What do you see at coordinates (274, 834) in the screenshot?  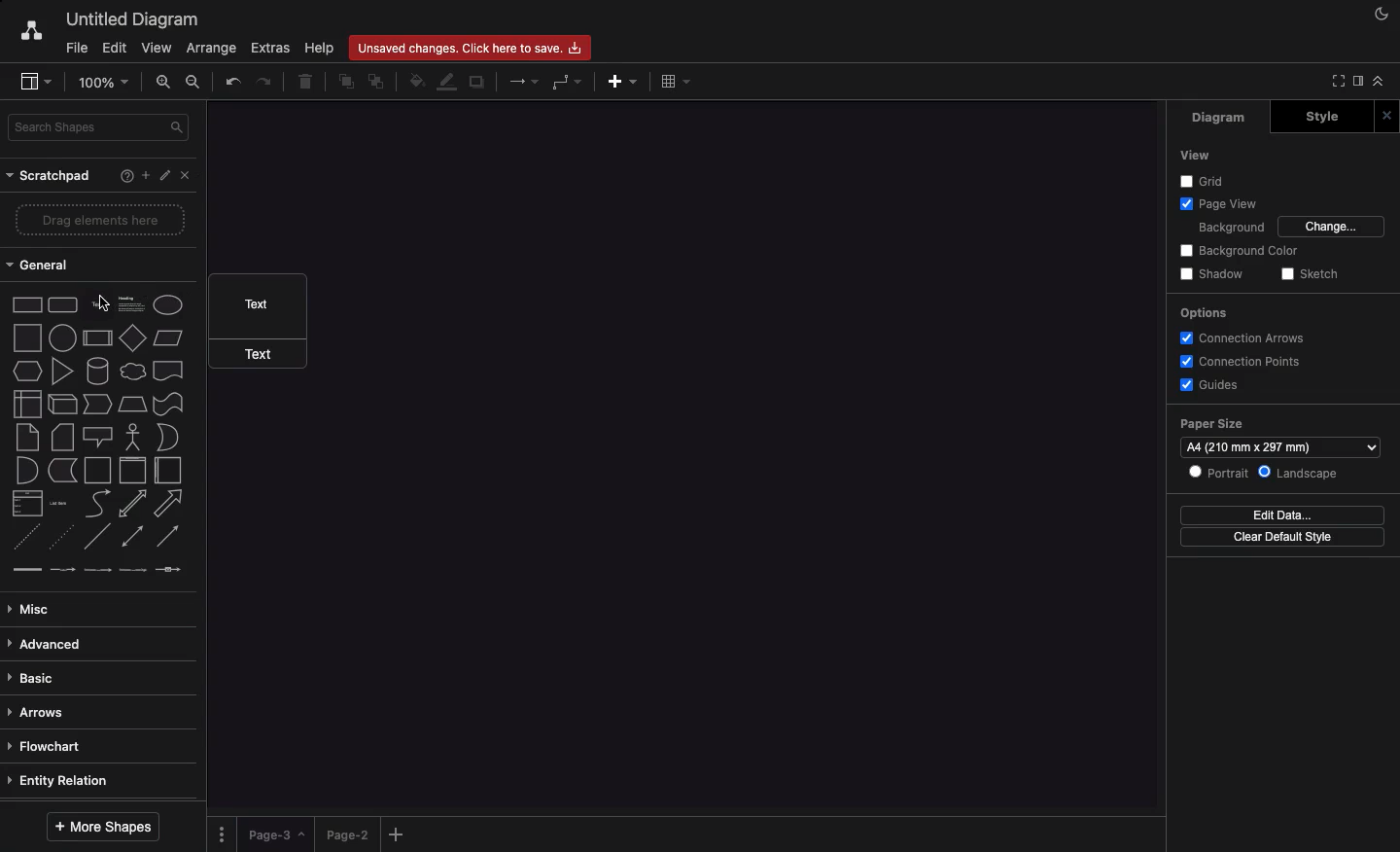 I see `Page 3` at bounding box center [274, 834].